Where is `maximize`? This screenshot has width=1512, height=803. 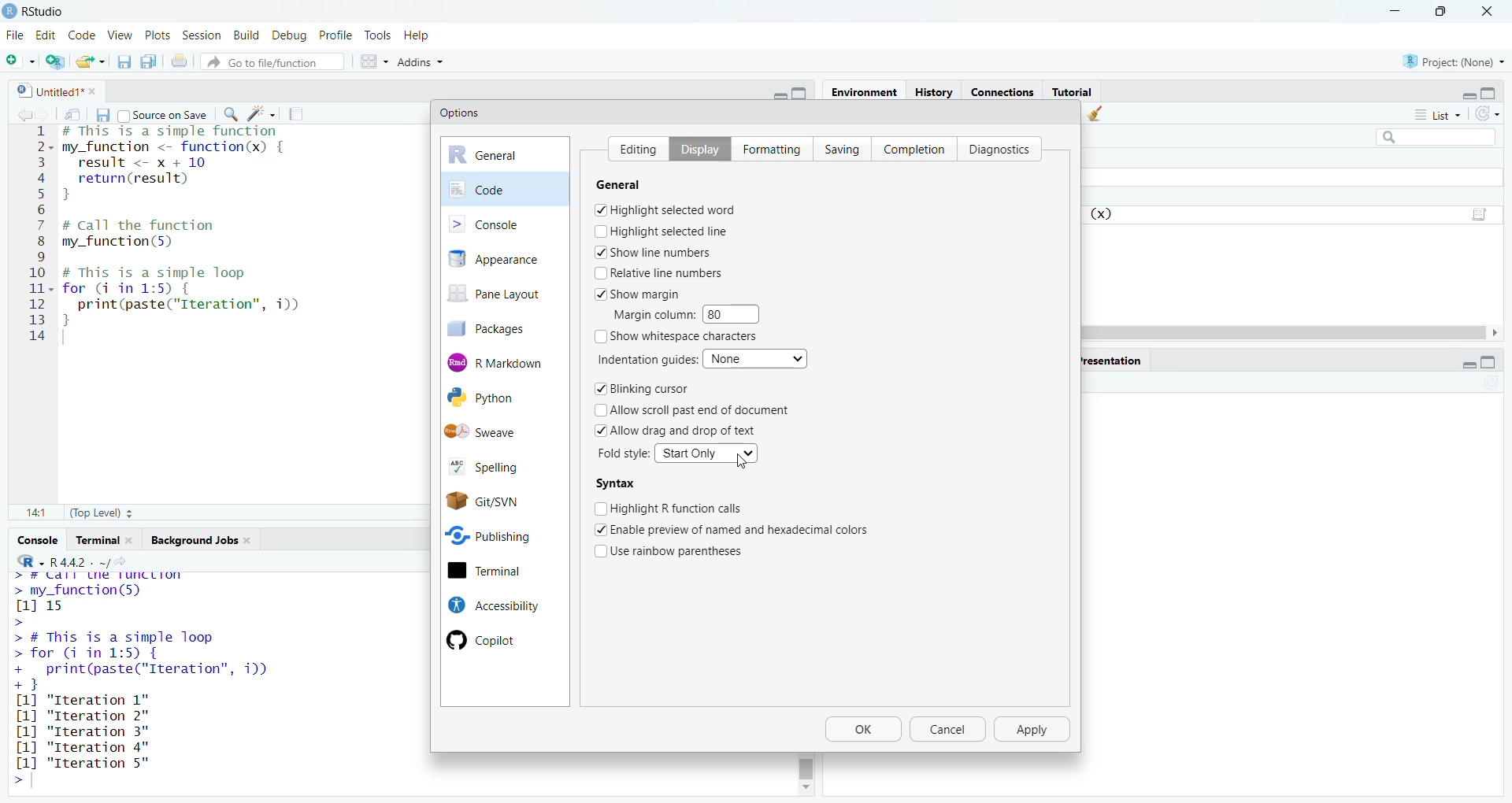
maximize is located at coordinates (1497, 363).